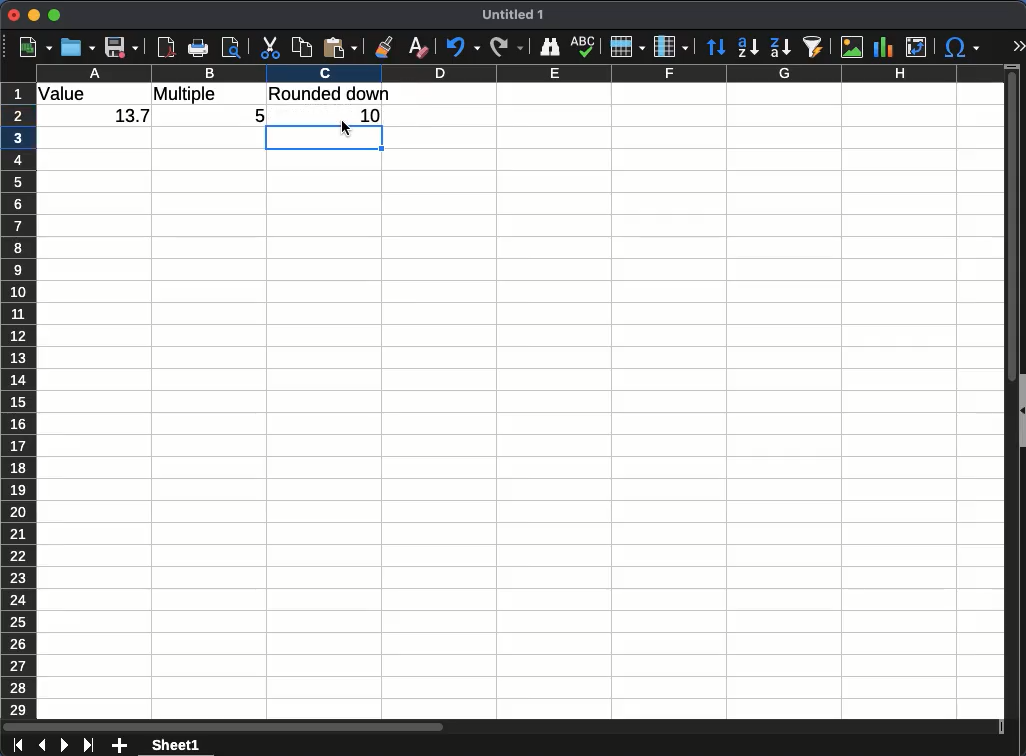 This screenshot has width=1026, height=756. I want to click on last sheet, so click(88, 745).